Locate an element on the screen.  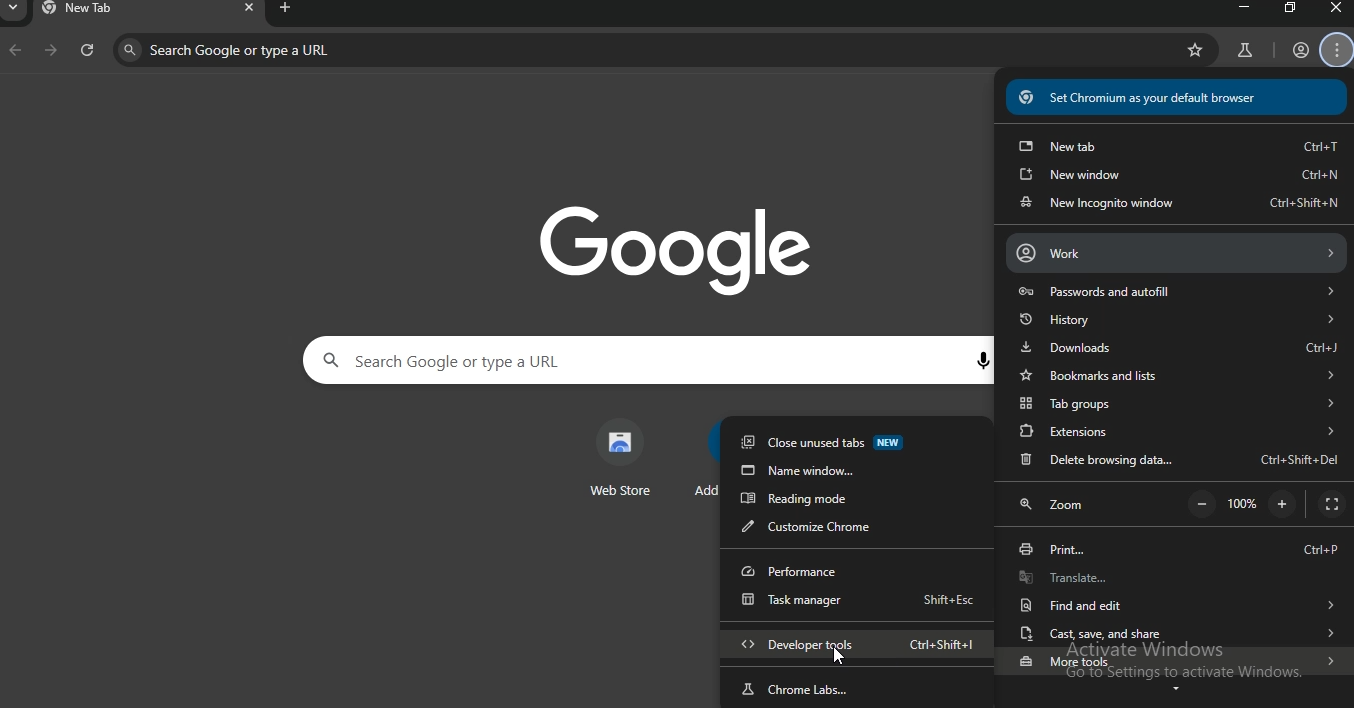
restore is located at coordinates (1291, 8).